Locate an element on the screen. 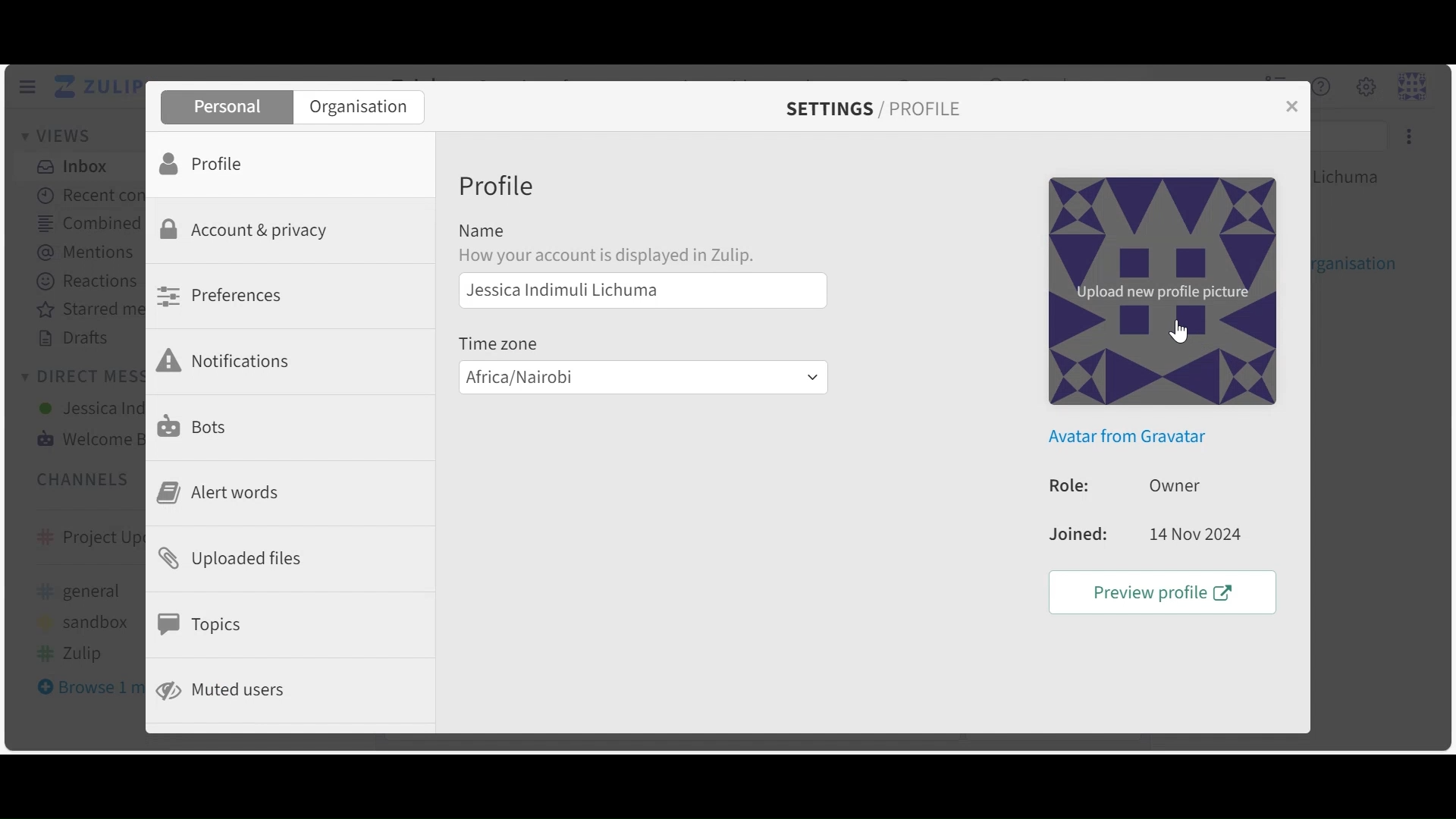  Avatar from Gravatar is located at coordinates (1125, 438).